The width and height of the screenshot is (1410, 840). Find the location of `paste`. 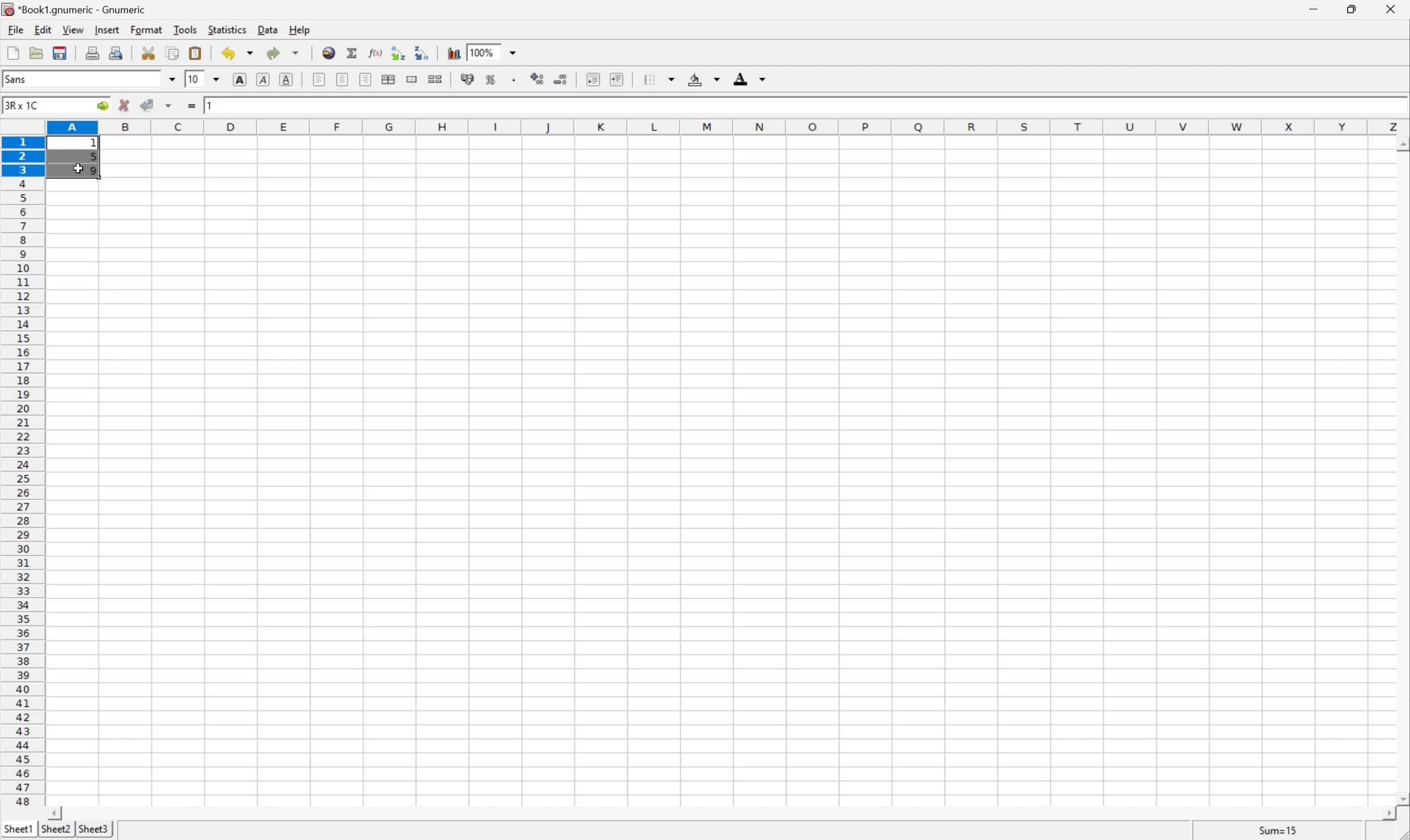

paste is located at coordinates (198, 53).